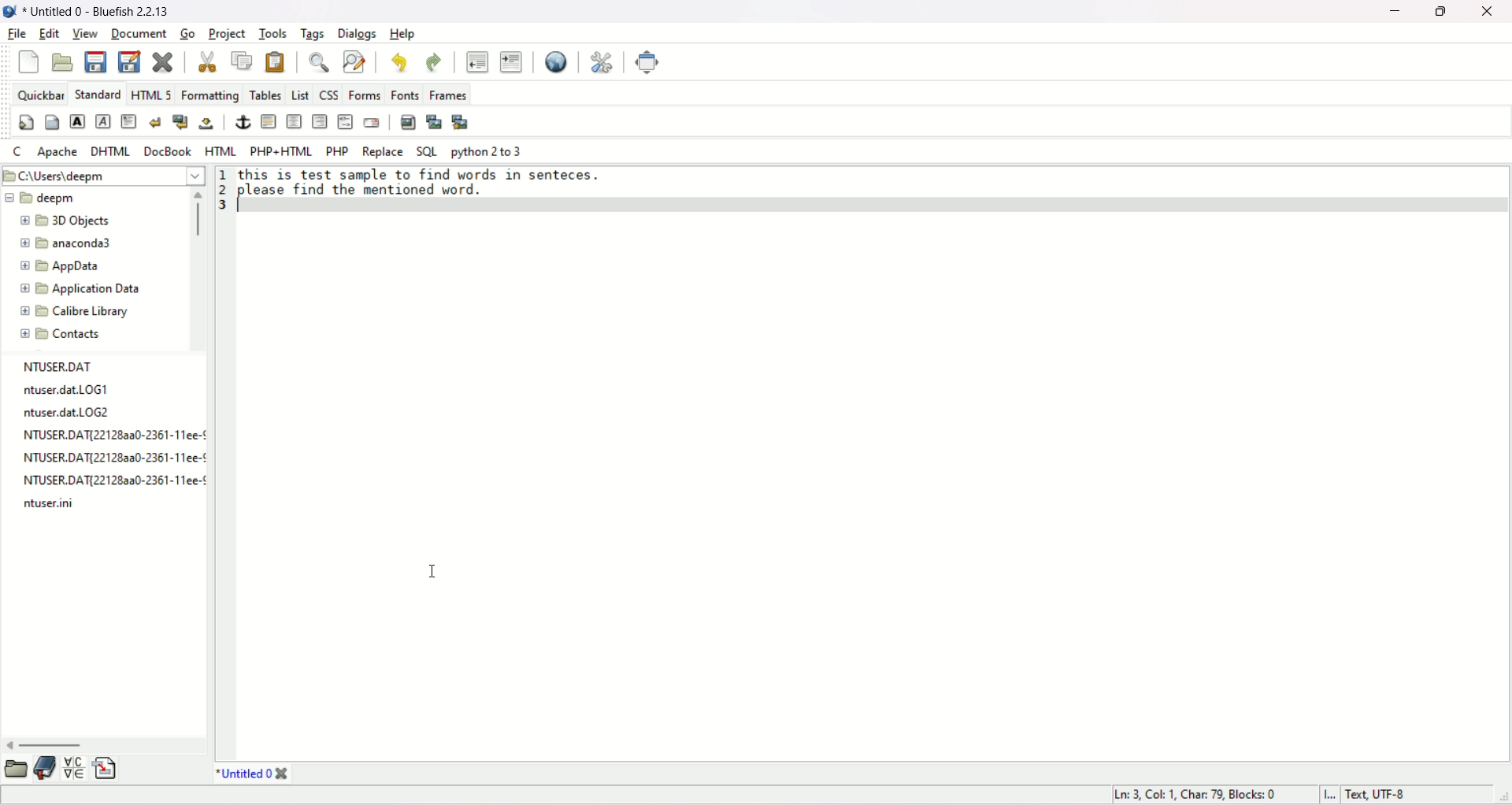 This screenshot has height=805, width=1512. Describe the element at coordinates (18, 150) in the screenshot. I see `C` at that location.